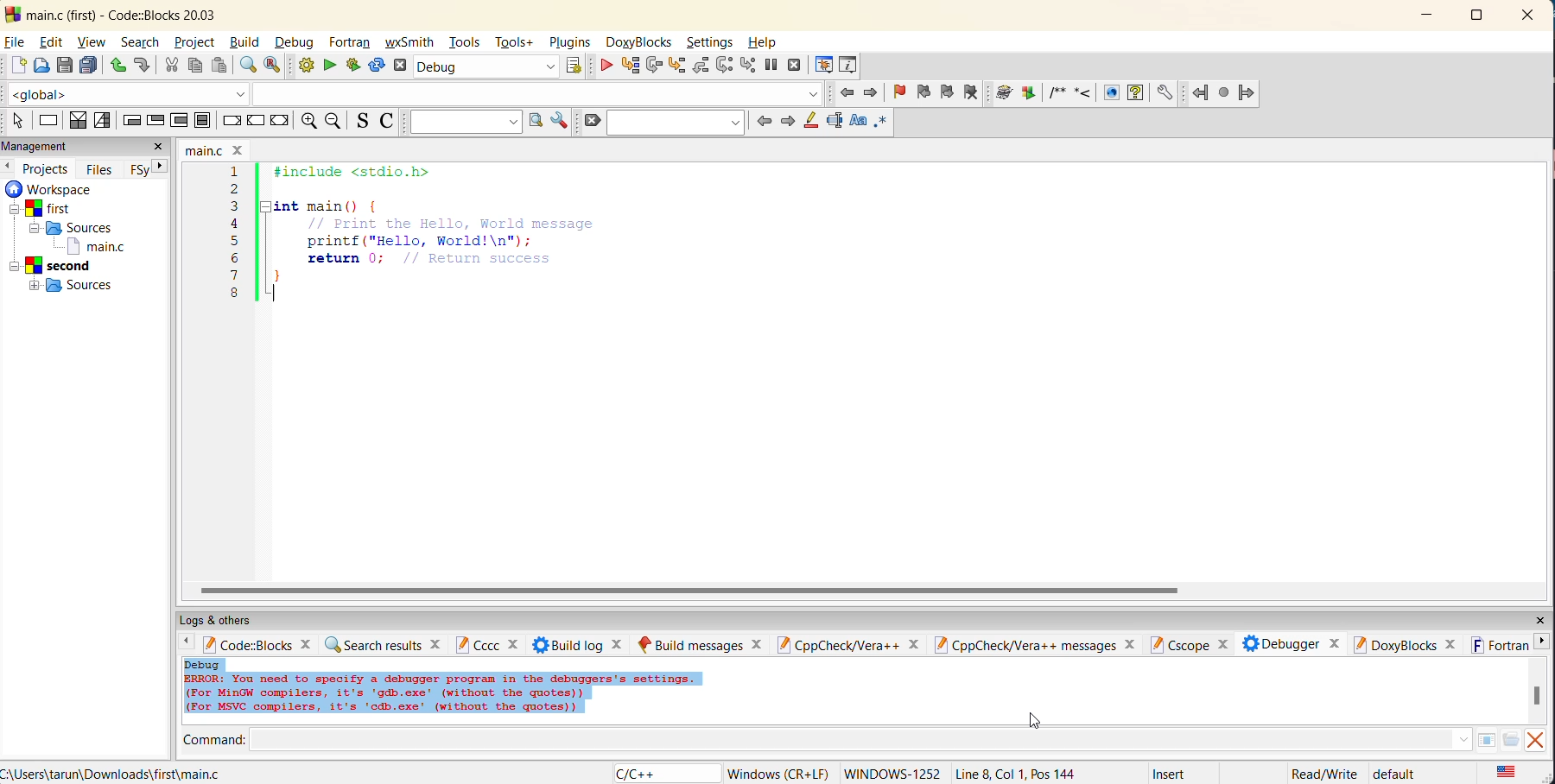 This screenshot has height=784, width=1555. Describe the element at coordinates (16, 42) in the screenshot. I see `file` at that location.